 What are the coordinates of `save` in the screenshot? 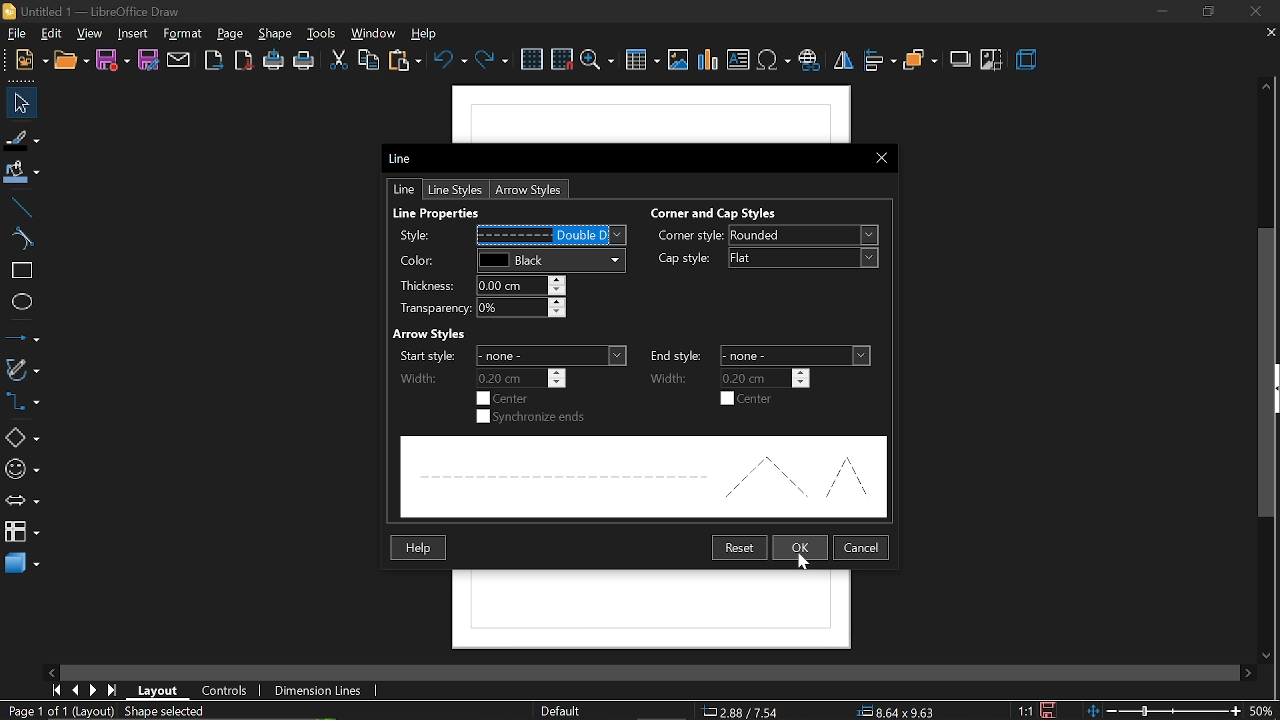 It's located at (113, 61).